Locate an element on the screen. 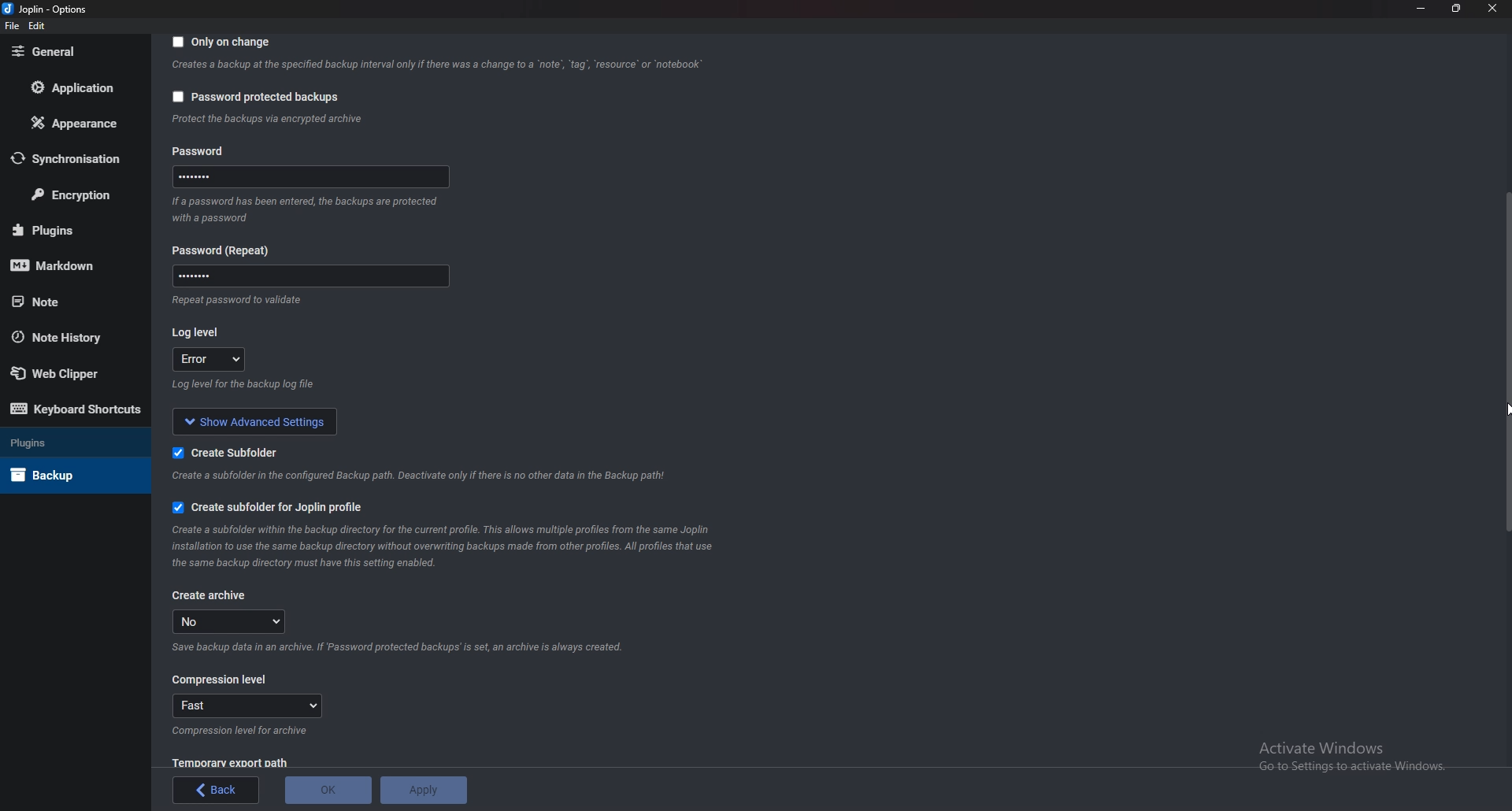 The height and width of the screenshot is (811, 1512). Keyboard shortcuts is located at coordinates (76, 408).